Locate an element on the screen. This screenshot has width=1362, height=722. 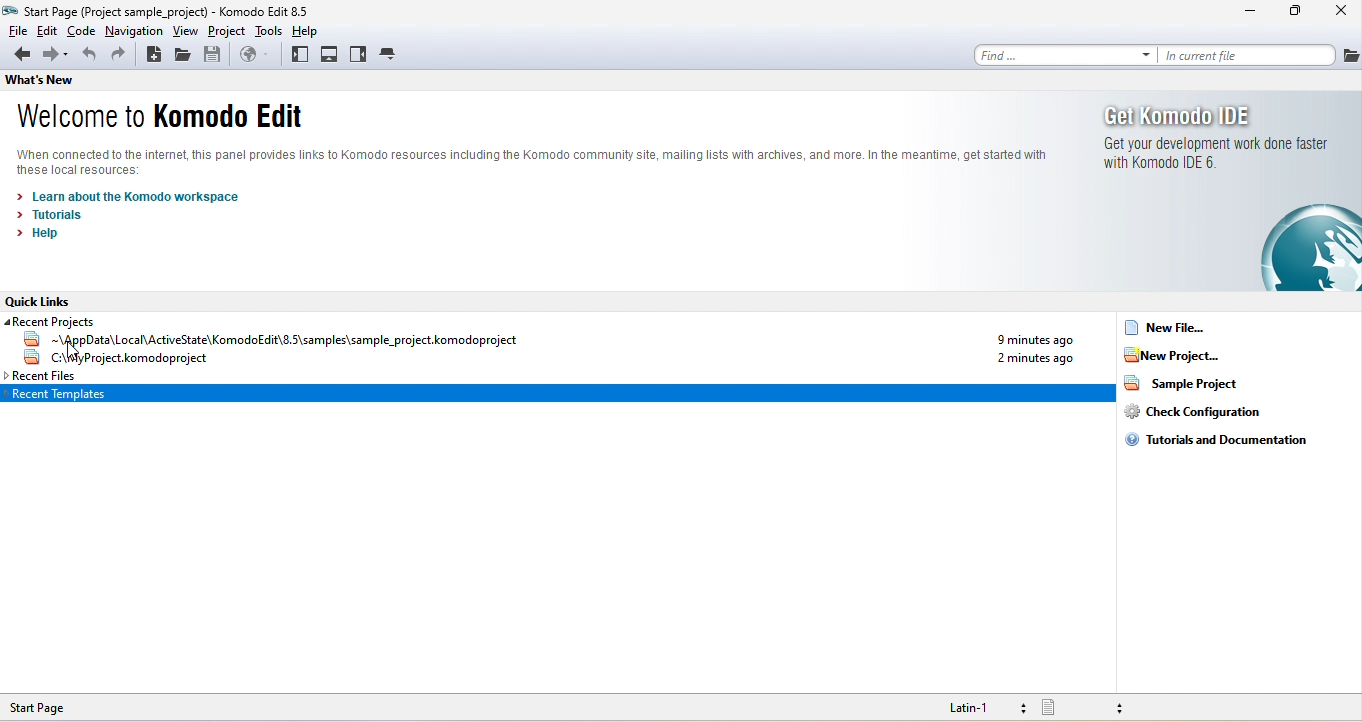
Start Page is located at coordinates (56, 706).